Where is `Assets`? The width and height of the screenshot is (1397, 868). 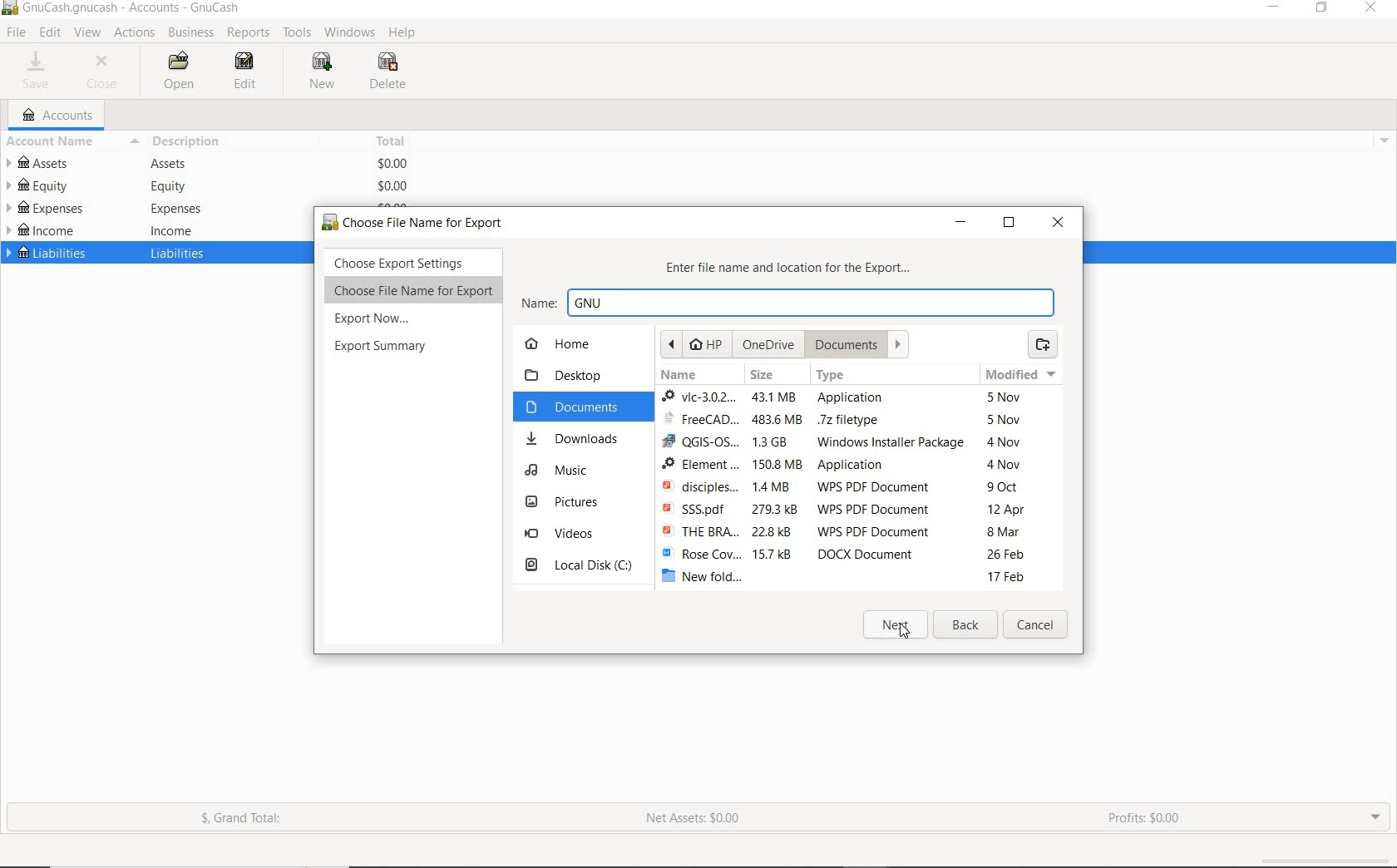
Assets is located at coordinates (170, 163).